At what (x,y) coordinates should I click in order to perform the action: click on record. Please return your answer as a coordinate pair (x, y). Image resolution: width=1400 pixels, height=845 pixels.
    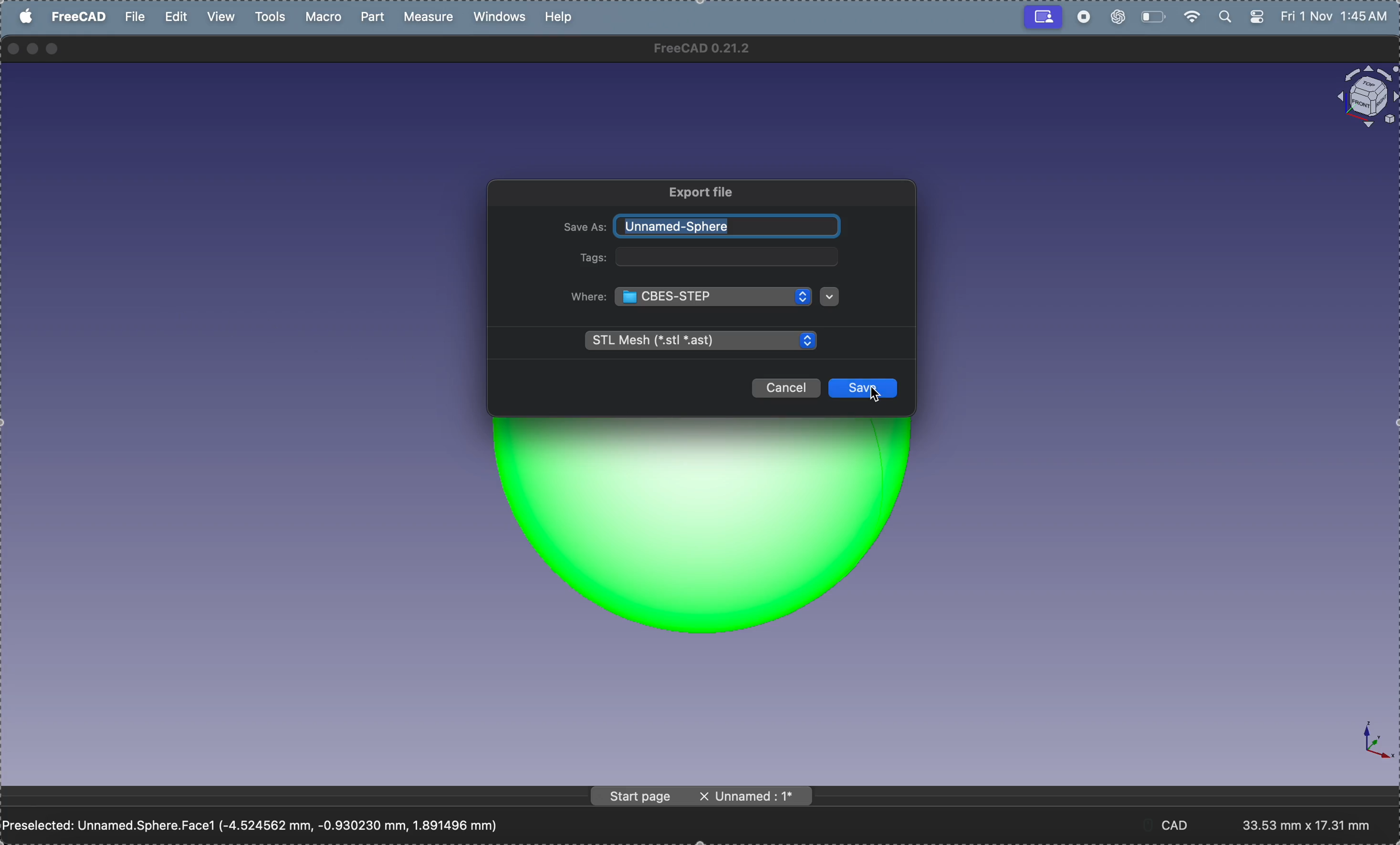
    Looking at the image, I should click on (1085, 18).